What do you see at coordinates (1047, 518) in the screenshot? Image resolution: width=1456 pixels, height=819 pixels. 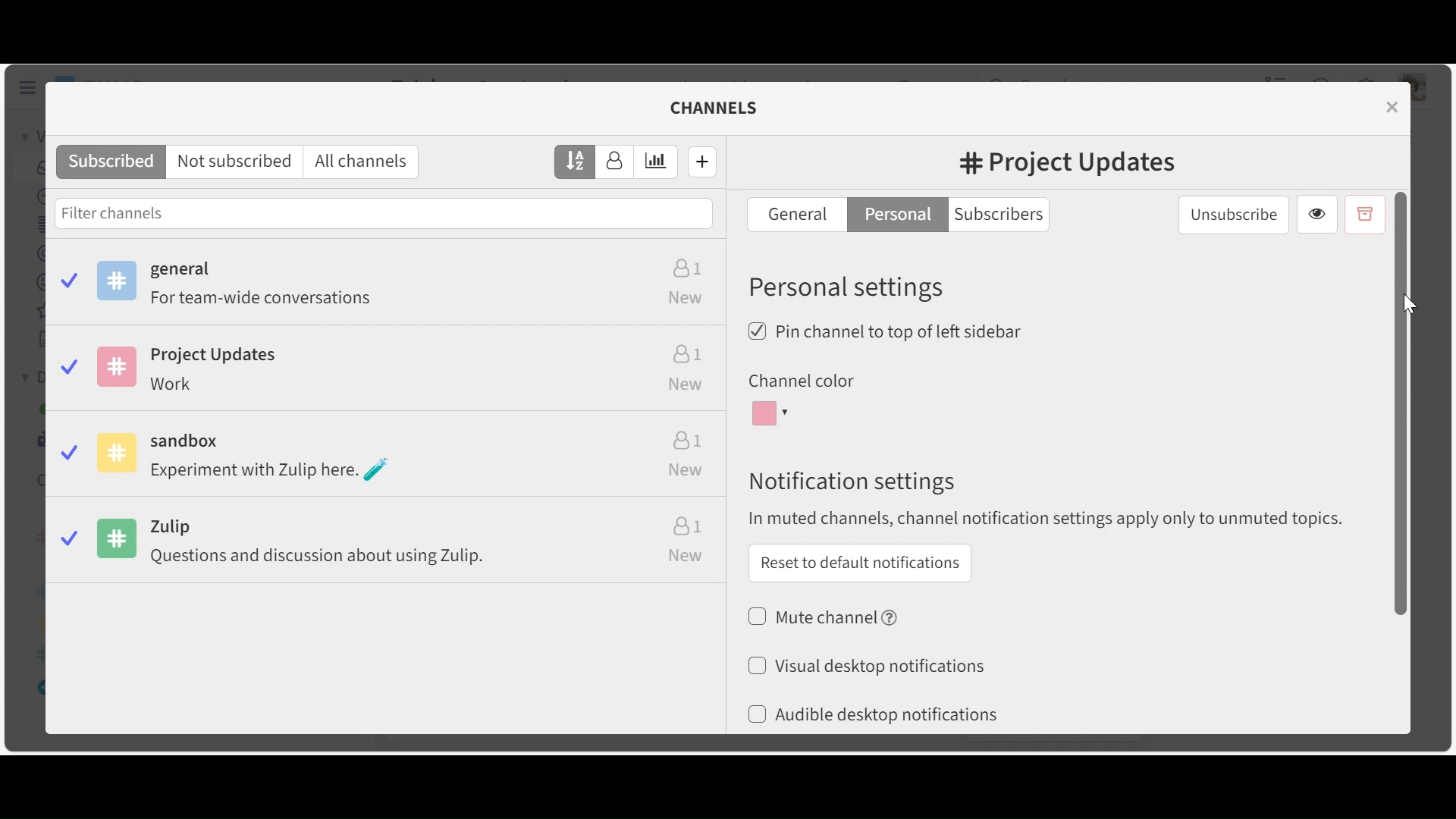 I see `In muted channels, channel notification apply only to muted topics` at bounding box center [1047, 518].